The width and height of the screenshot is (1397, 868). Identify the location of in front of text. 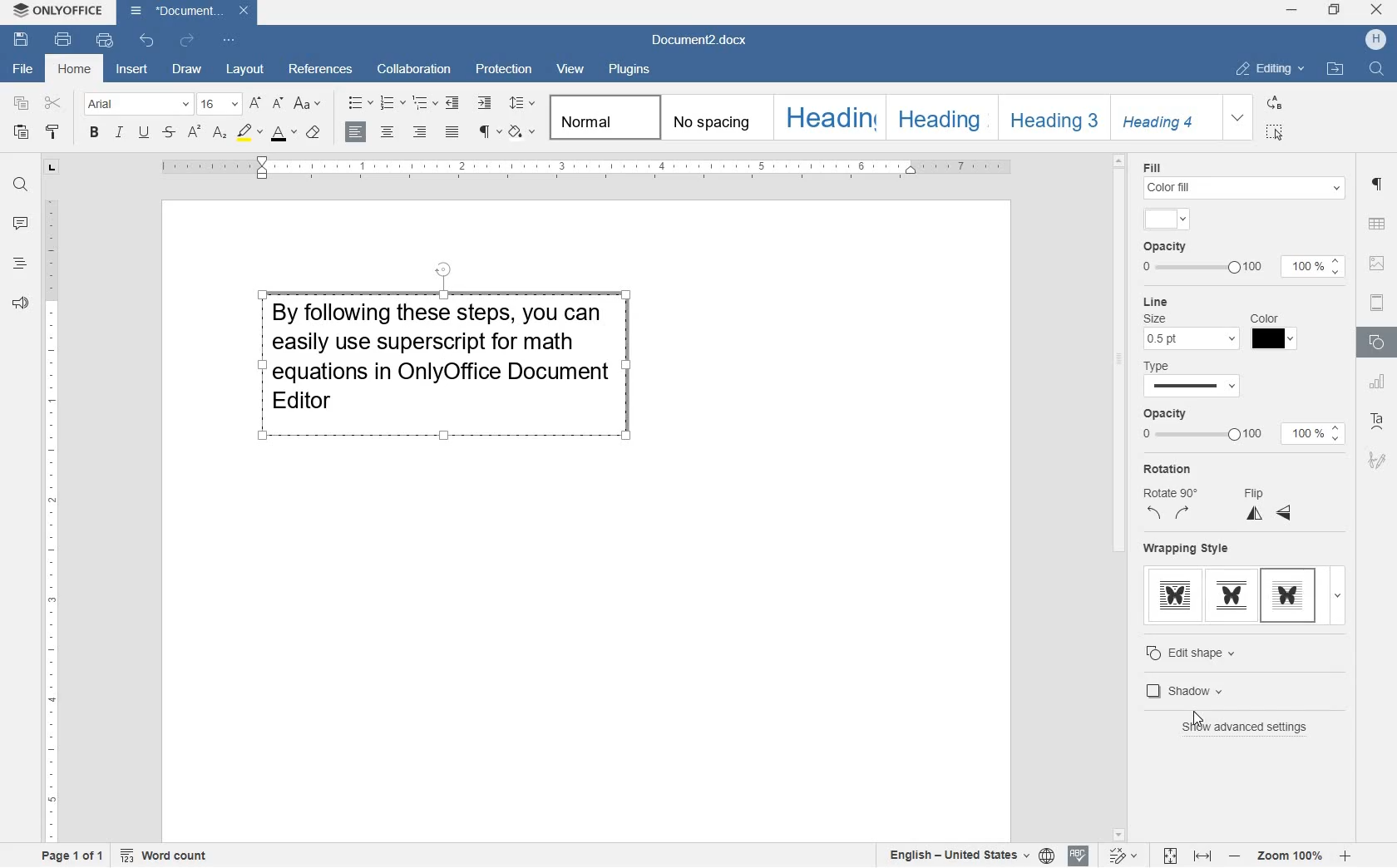
(1290, 594).